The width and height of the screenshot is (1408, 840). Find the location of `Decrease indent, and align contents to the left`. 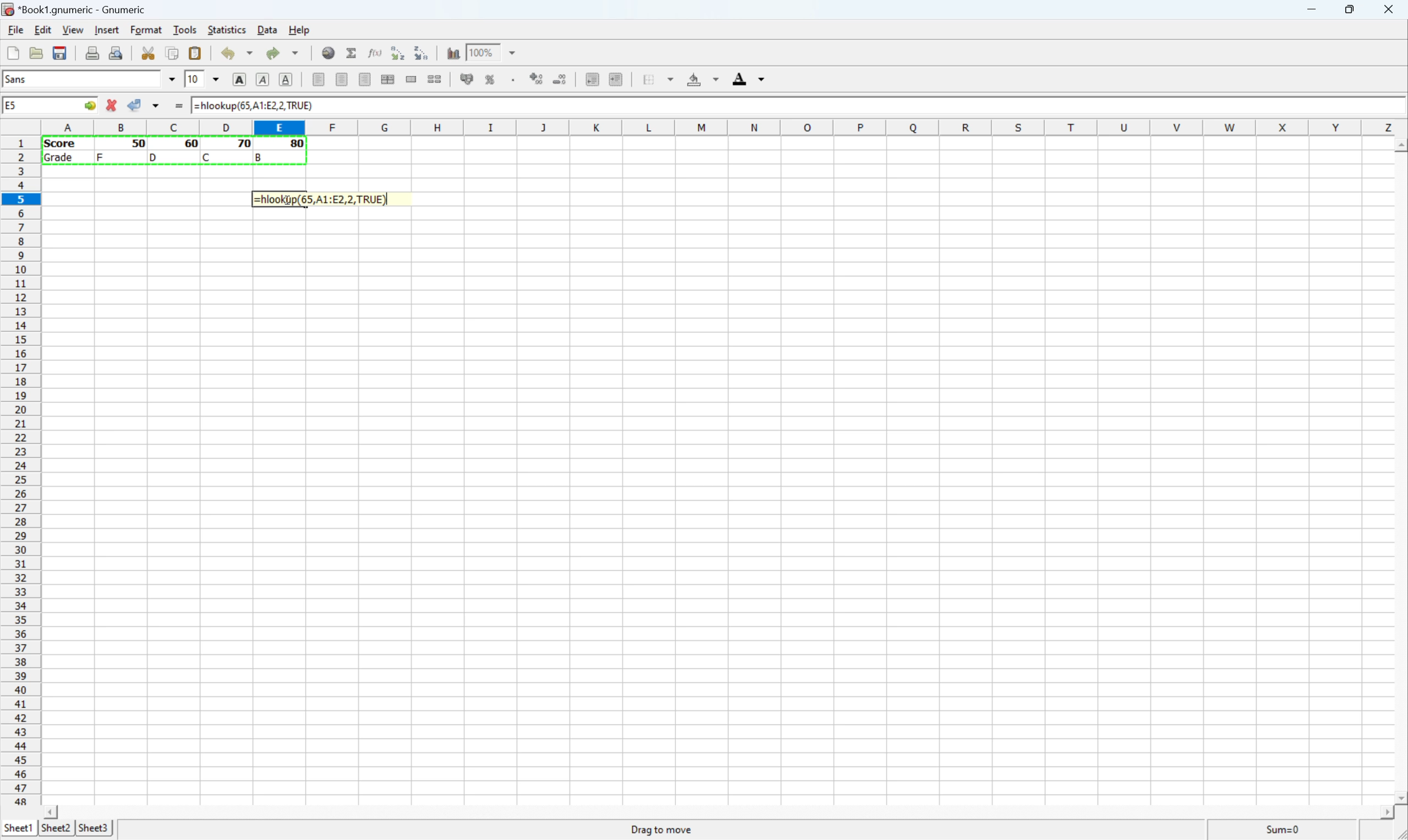

Decrease indent, and align contents to the left is located at coordinates (589, 80).